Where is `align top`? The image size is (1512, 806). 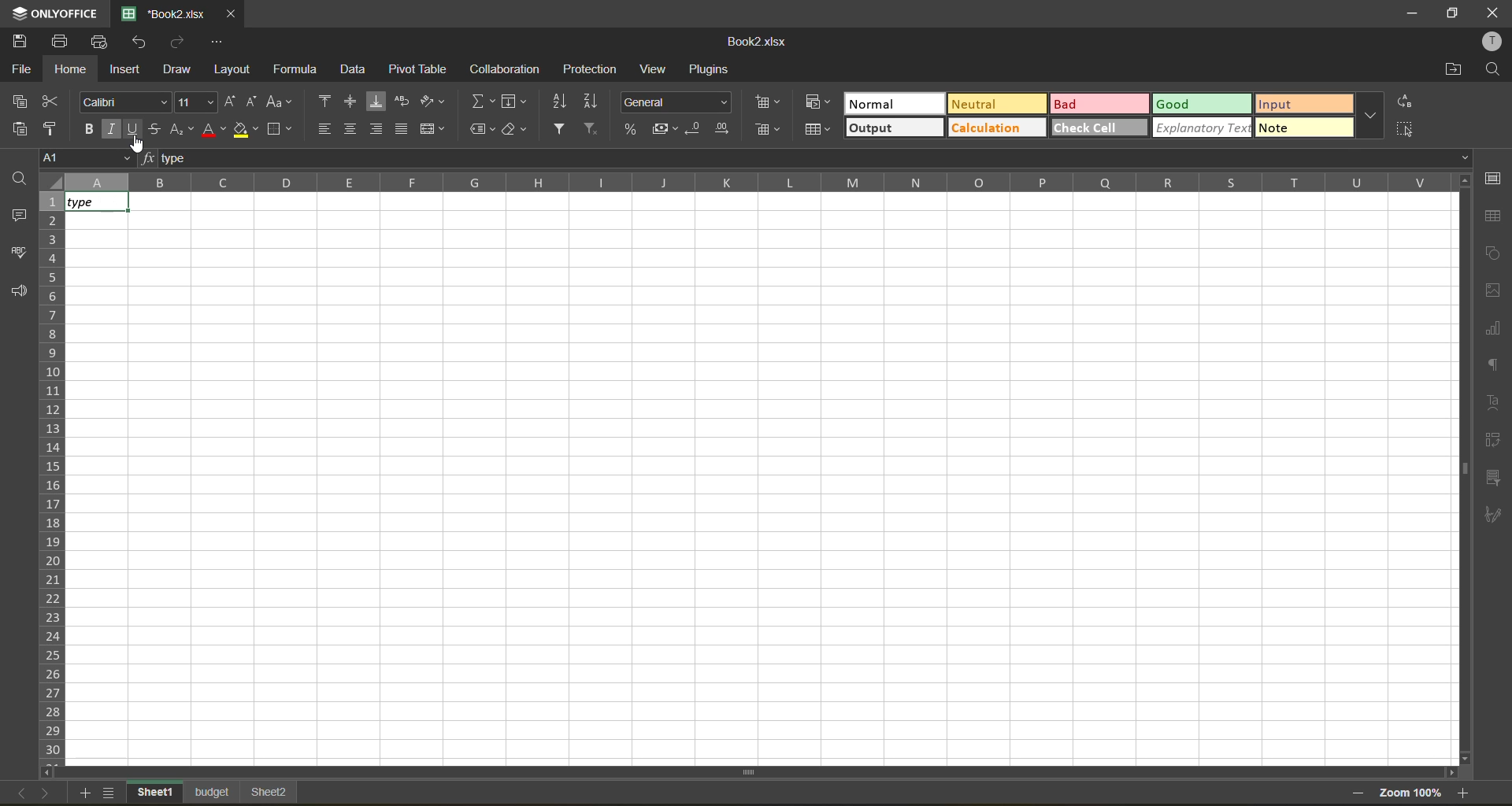 align top is located at coordinates (324, 101).